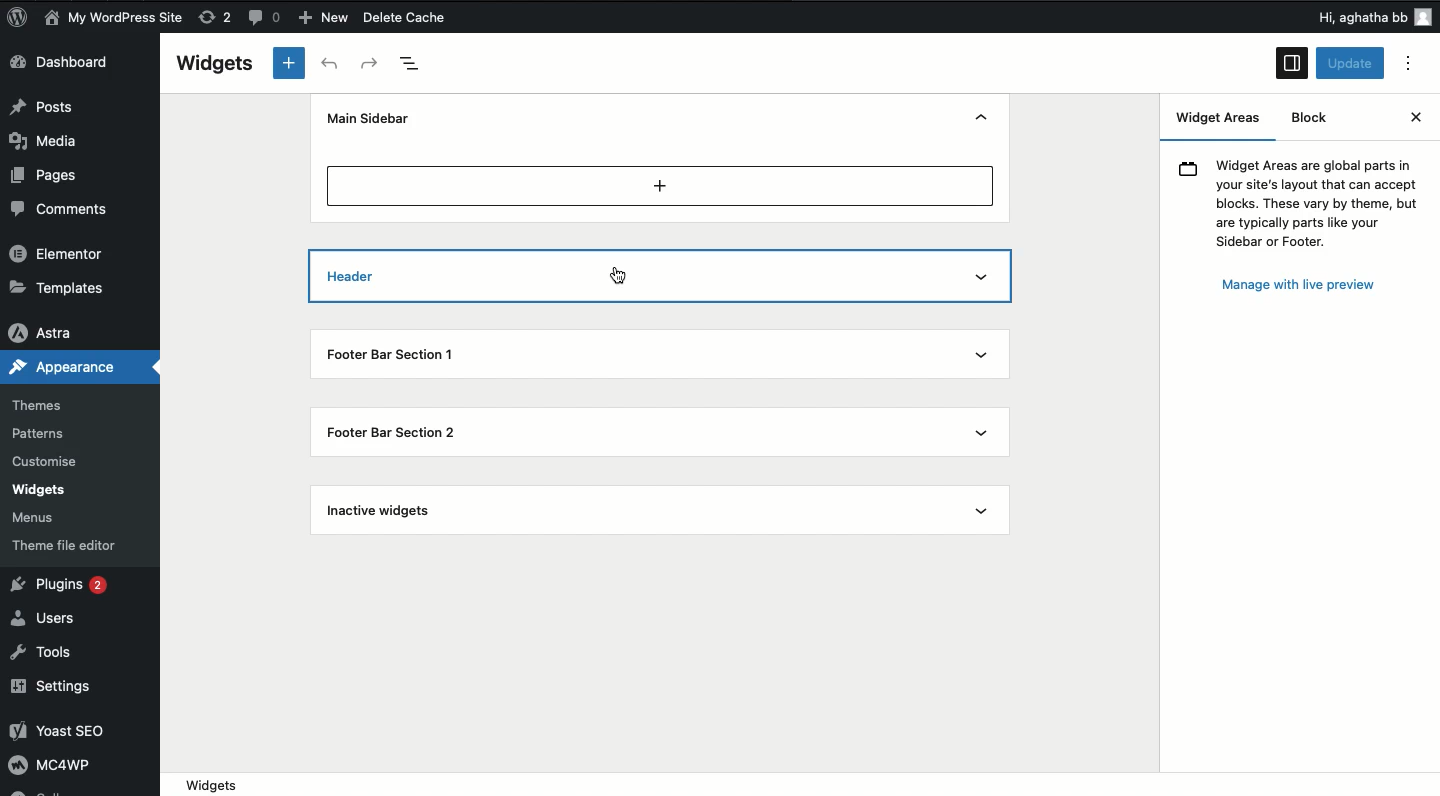 The height and width of the screenshot is (796, 1440). Describe the element at coordinates (48, 175) in the screenshot. I see `Pages` at that location.